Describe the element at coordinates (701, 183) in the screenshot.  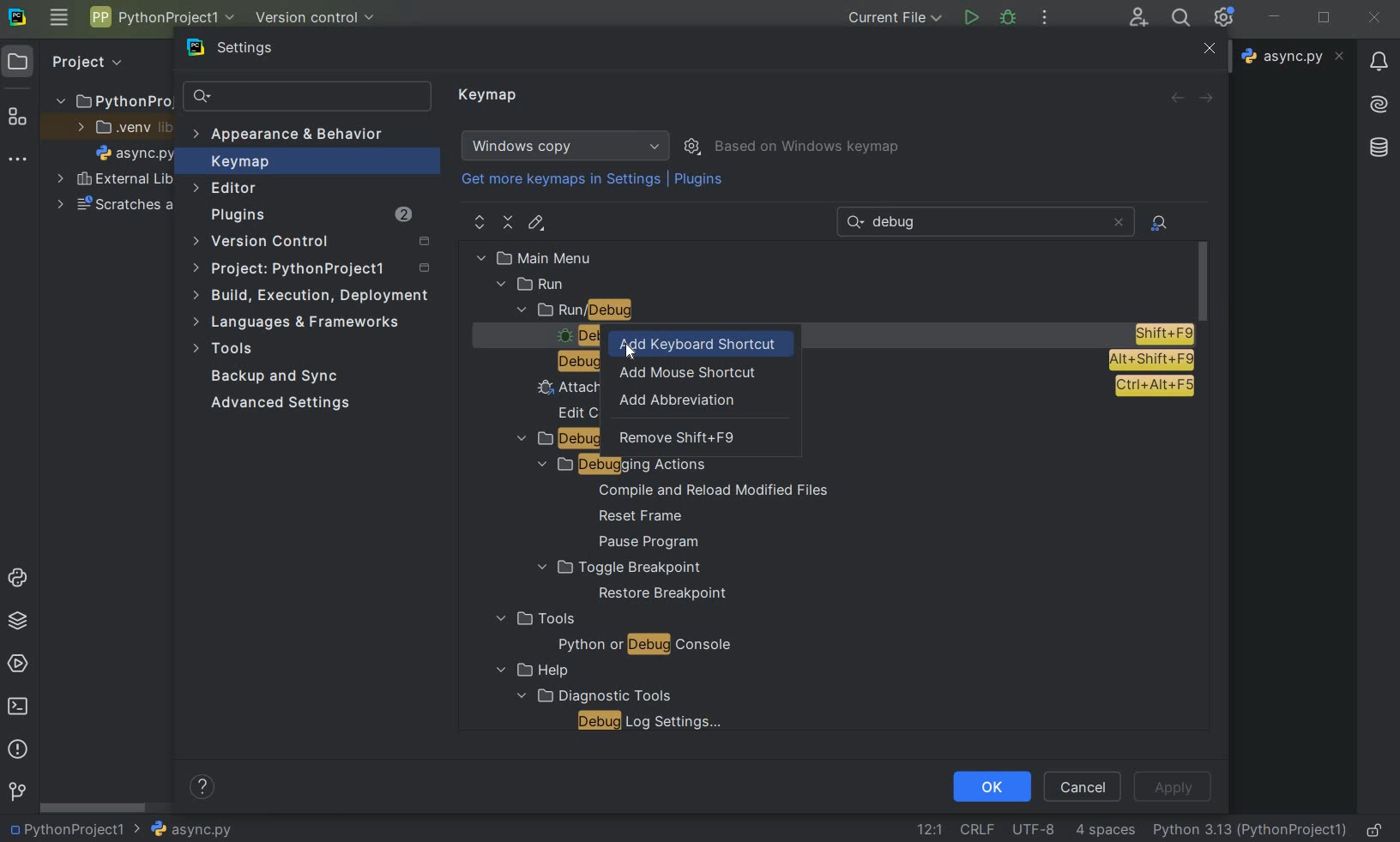
I see `plugins` at that location.